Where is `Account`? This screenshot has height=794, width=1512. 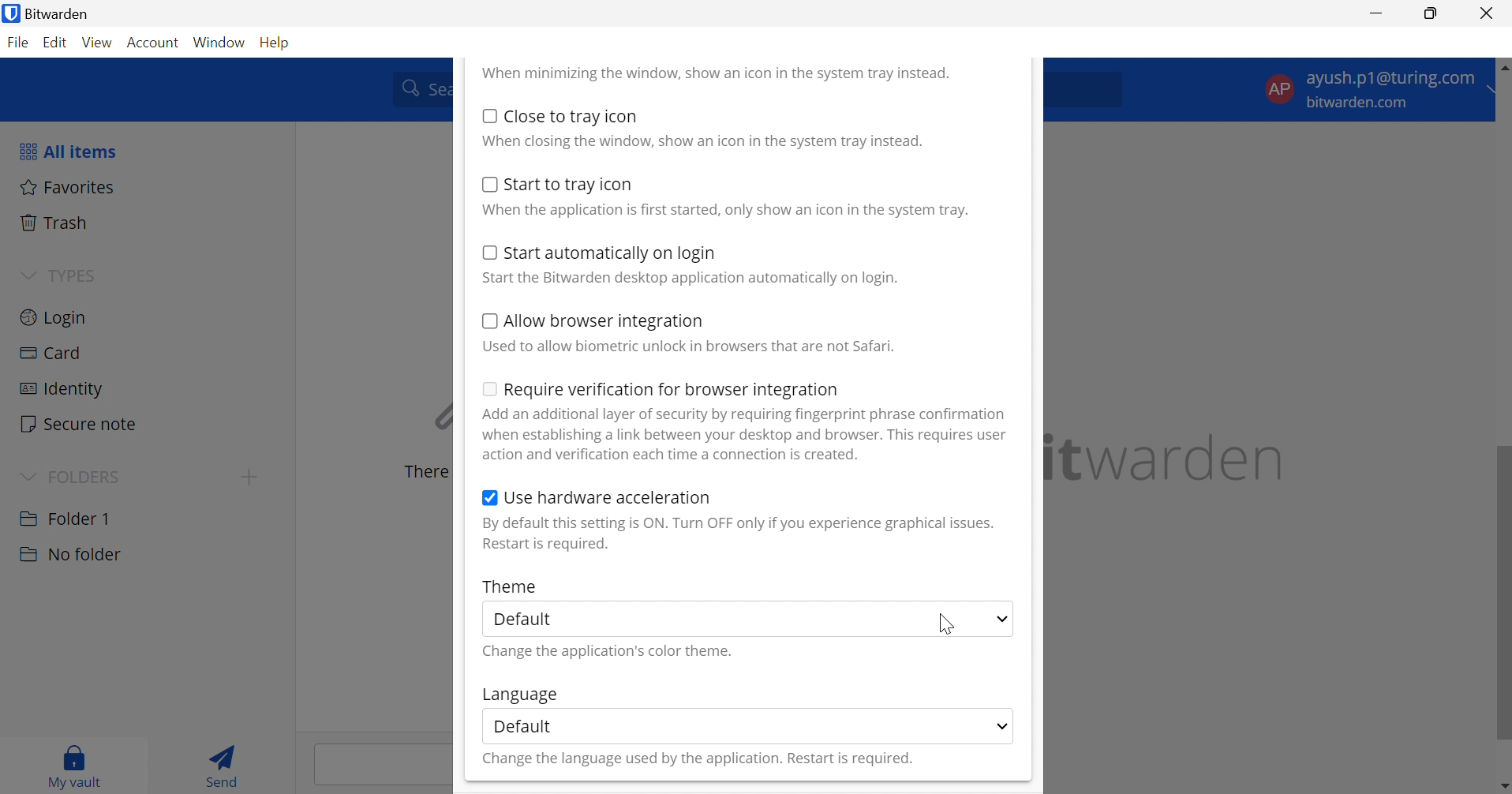
Account is located at coordinates (155, 43).